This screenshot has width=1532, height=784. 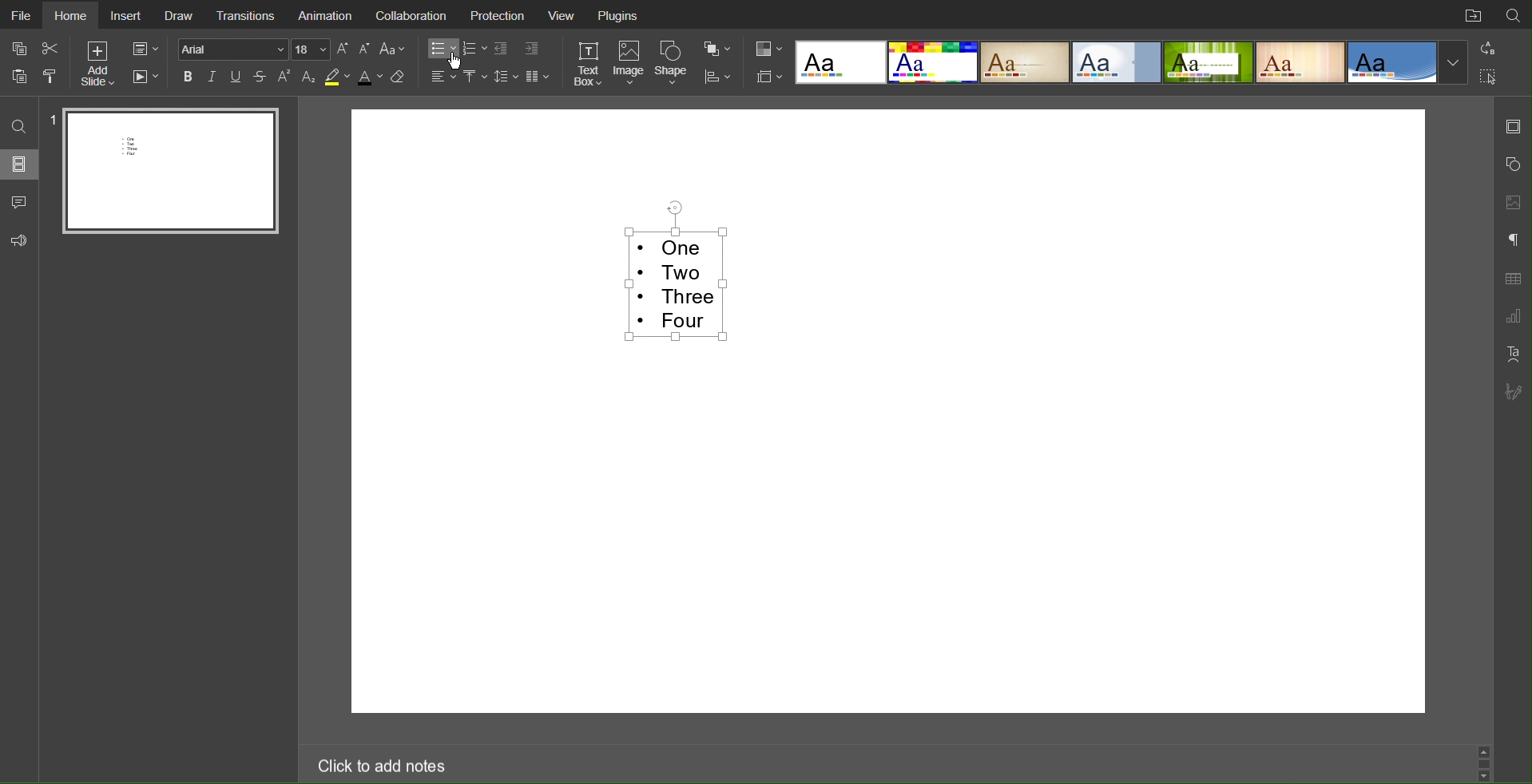 What do you see at coordinates (1514, 127) in the screenshot?
I see `Slide Settings` at bounding box center [1514, 127].